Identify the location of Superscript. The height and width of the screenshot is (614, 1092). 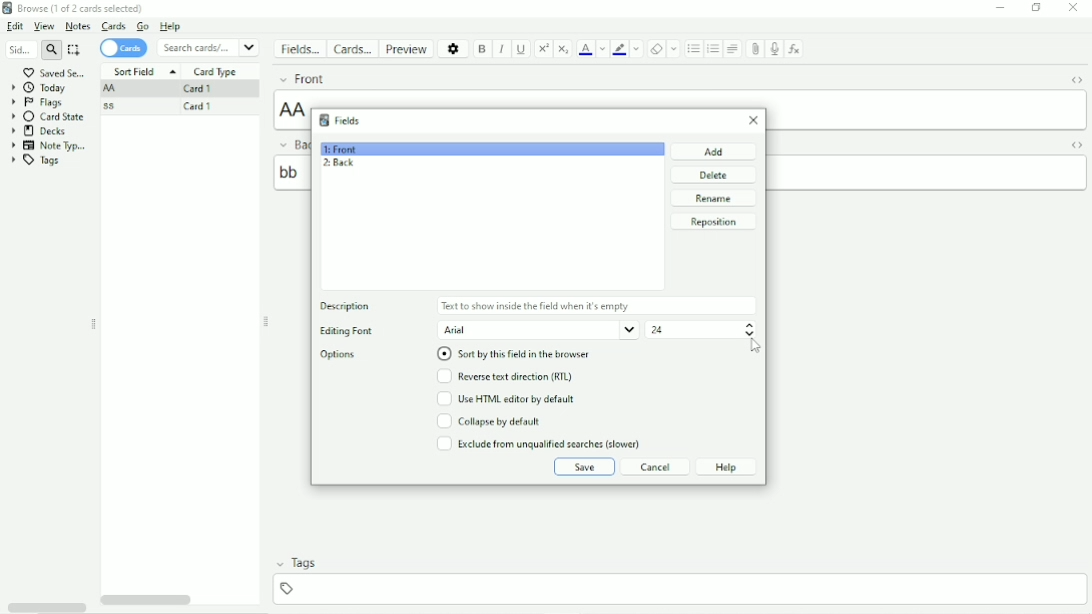
(542, 50).